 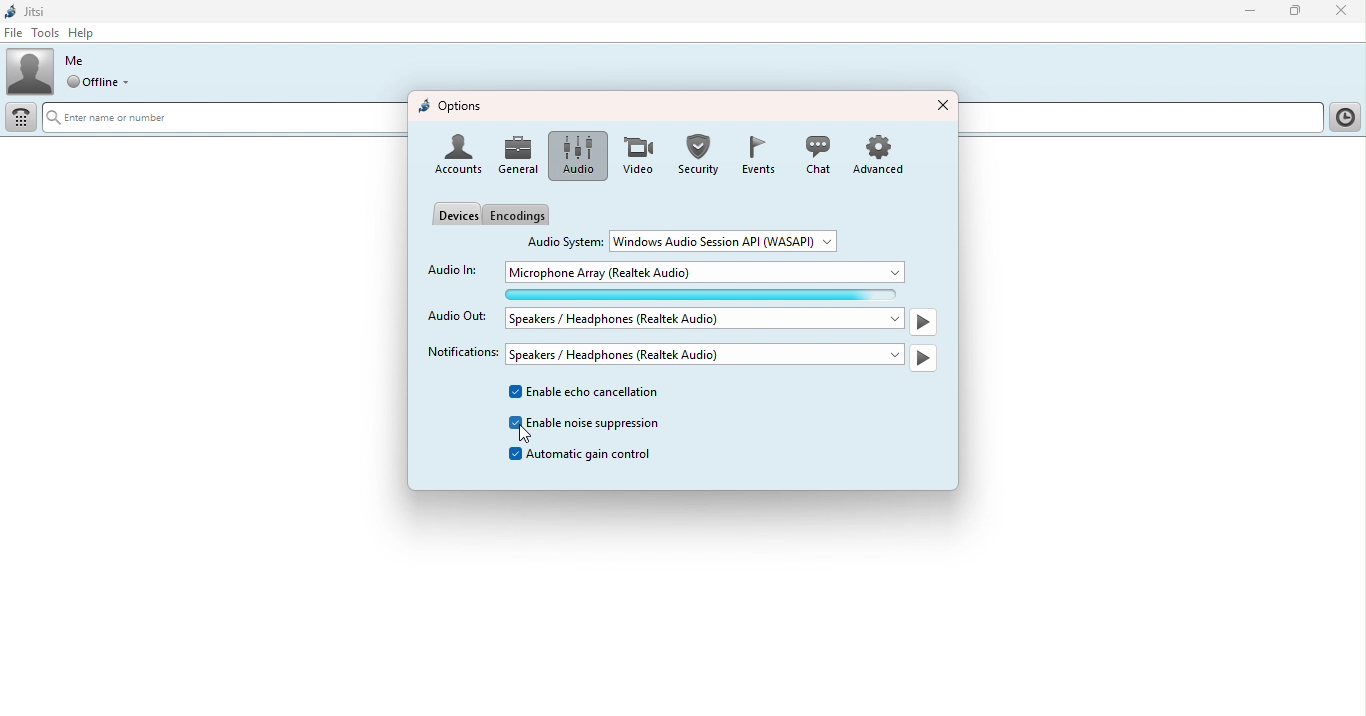 What do you see at coordinates (1340, 12) in the screenshot?
I see `Close` at bounding box center [1340, 12].